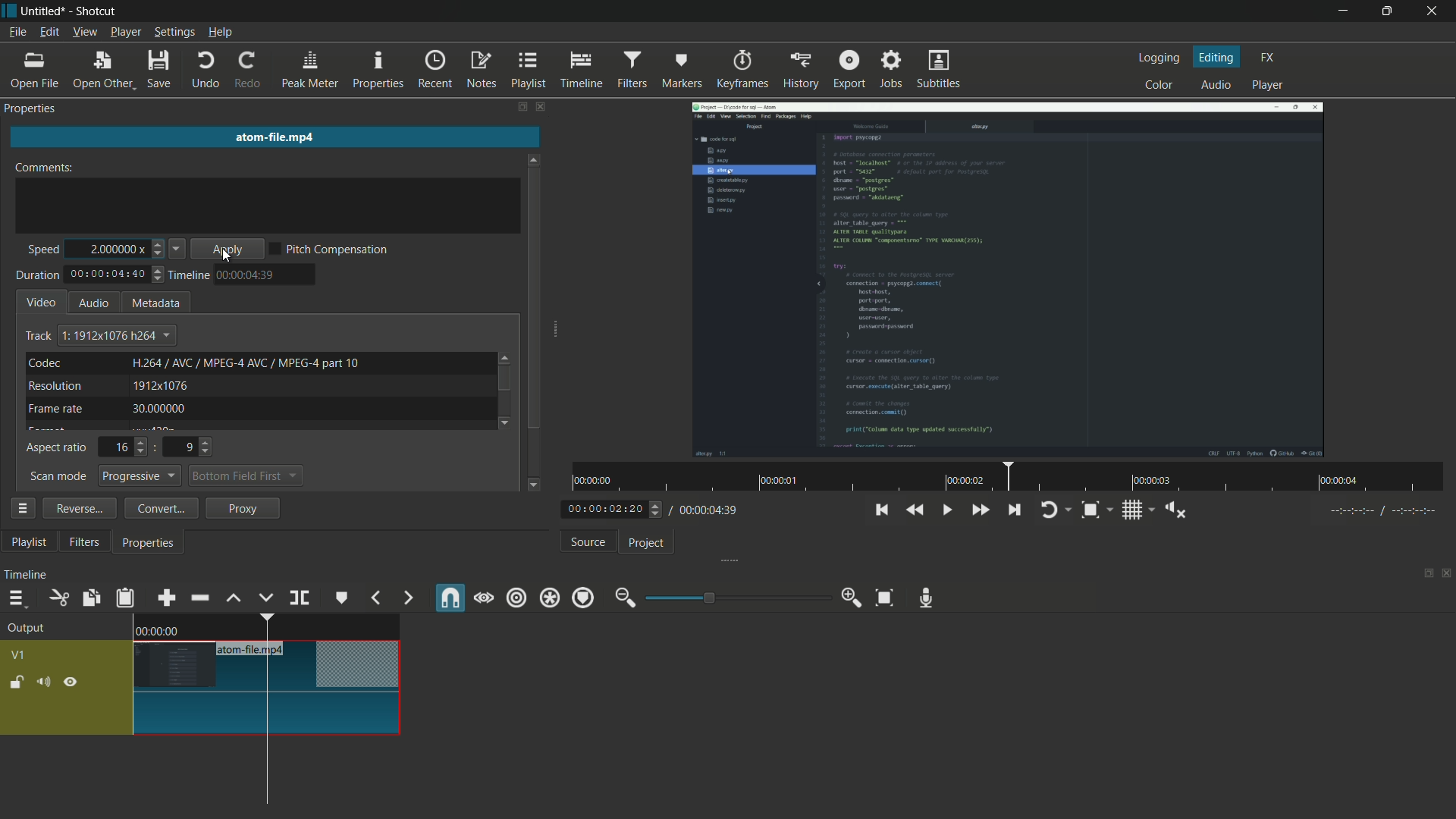 The image size is (1456, 819). What do you see at coordinates (648, 542) in the screenshot?
I see `project` at bounding box center [648, 542].